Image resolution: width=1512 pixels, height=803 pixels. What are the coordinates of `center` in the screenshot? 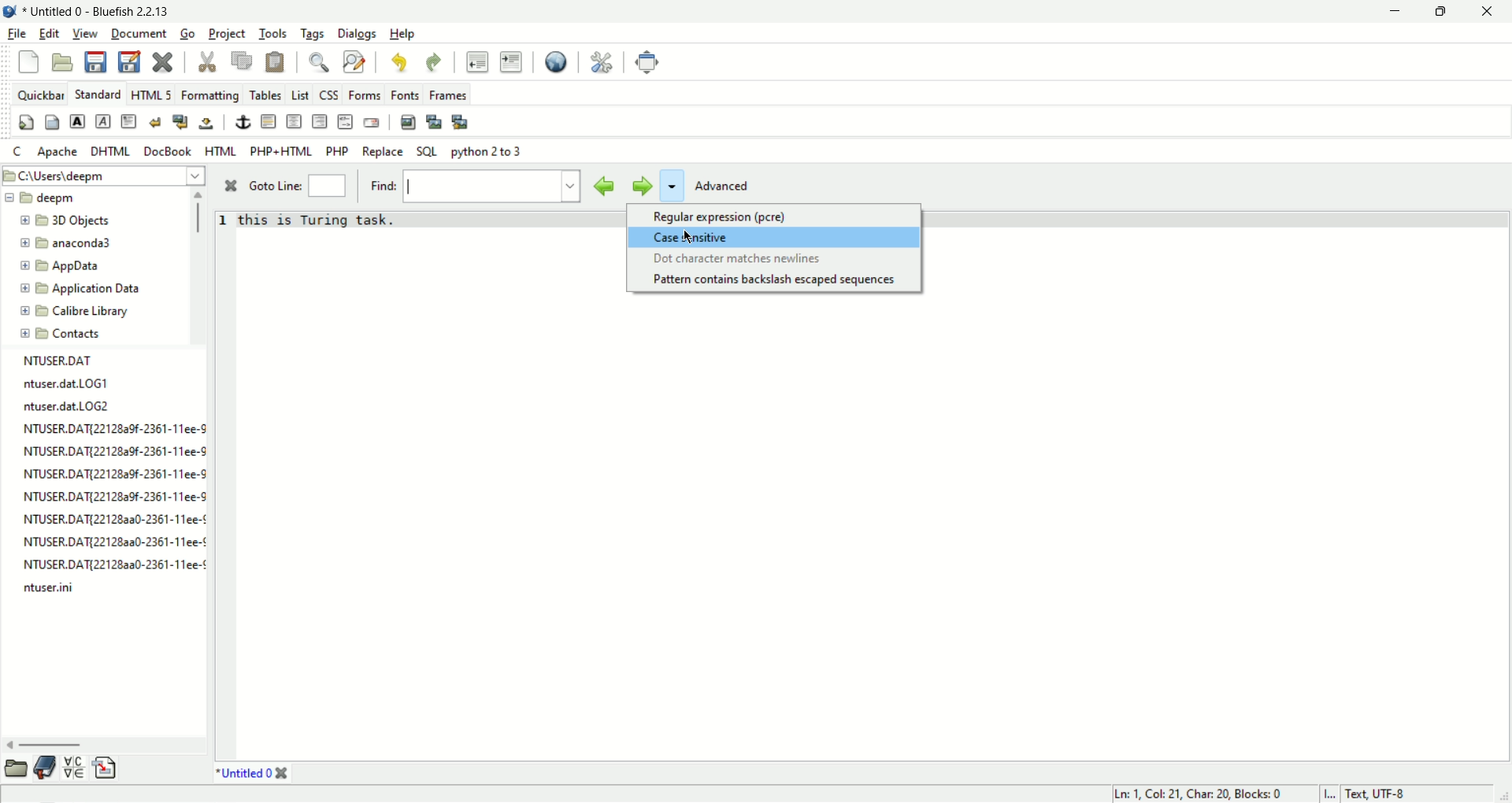 It's located at (295, 122).